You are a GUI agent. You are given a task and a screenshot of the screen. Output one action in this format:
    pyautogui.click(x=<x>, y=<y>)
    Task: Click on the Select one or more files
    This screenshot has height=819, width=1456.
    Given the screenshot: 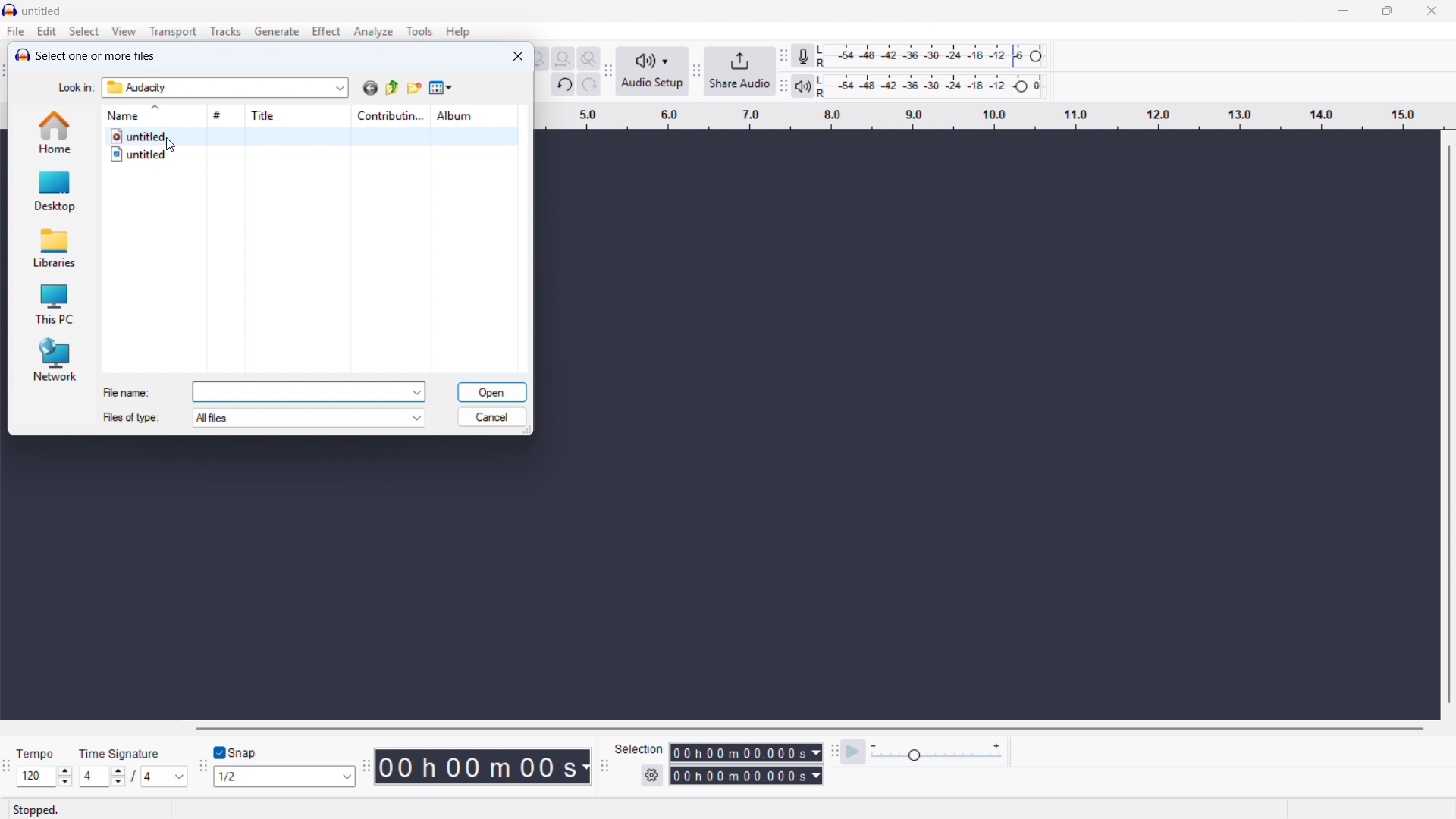 What is the action you would take?
    pyautogui.click(x=96, y=55)
    